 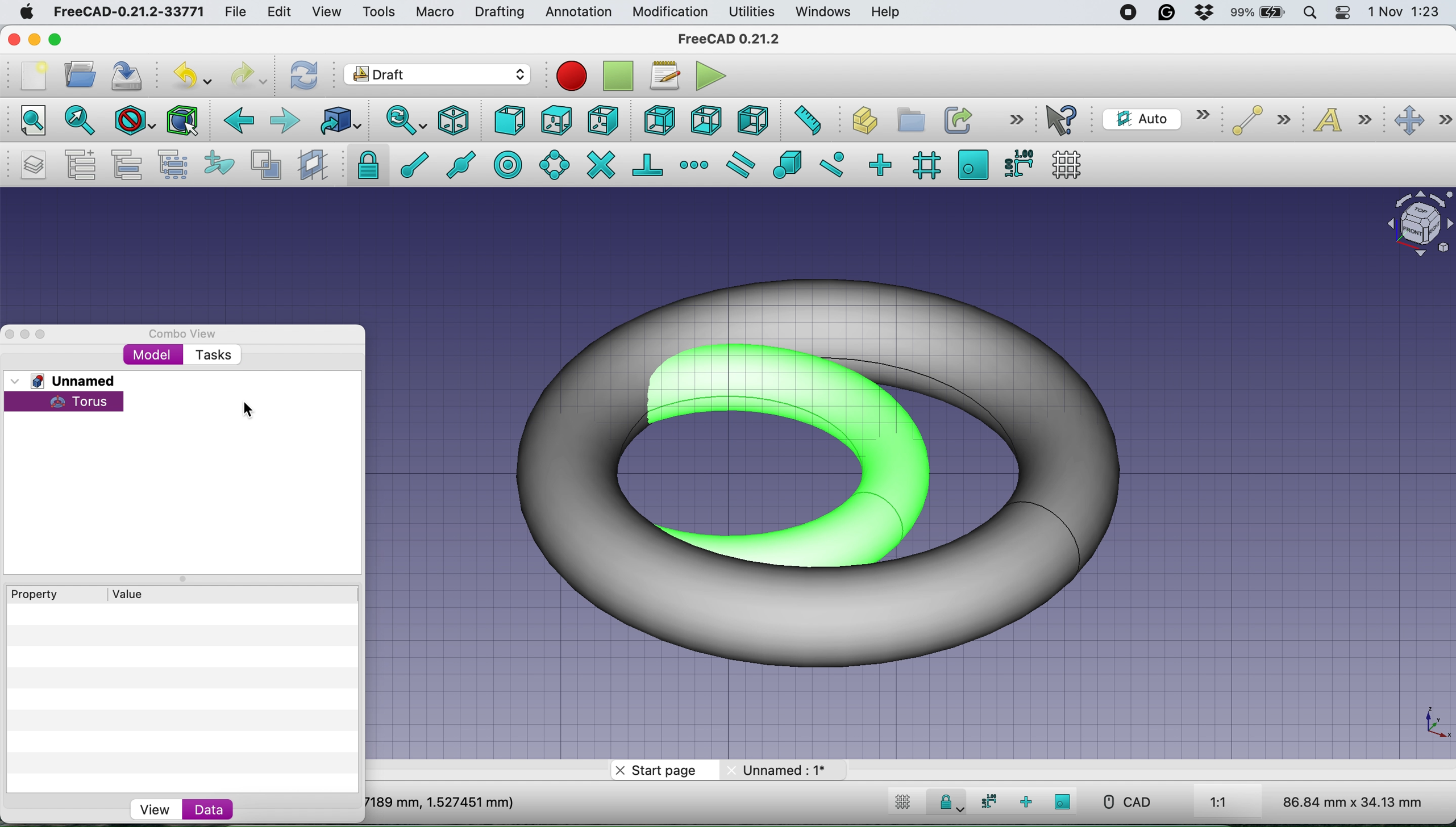 I want to click on snap center, so click(x=509, y=164).